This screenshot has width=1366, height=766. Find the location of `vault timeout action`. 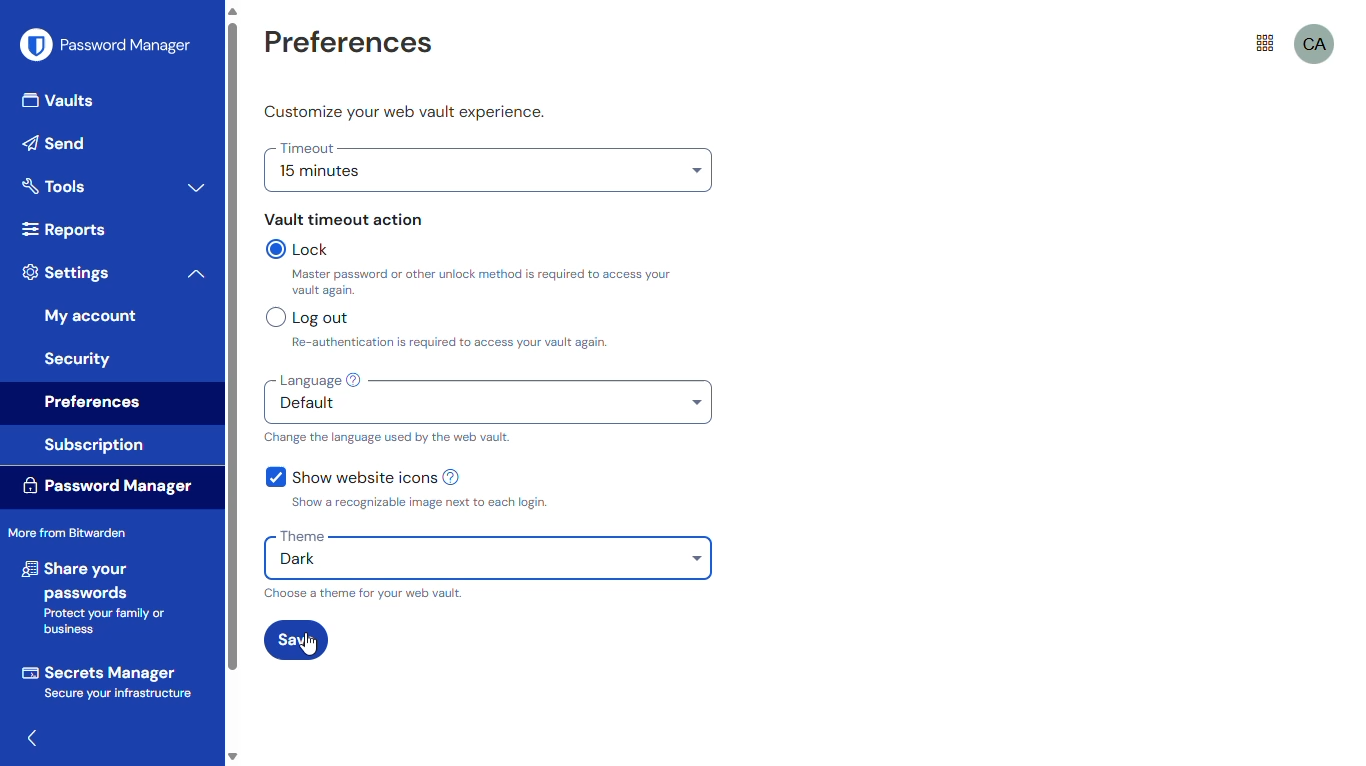

vault timeout action is located at coordinates (344, 219).